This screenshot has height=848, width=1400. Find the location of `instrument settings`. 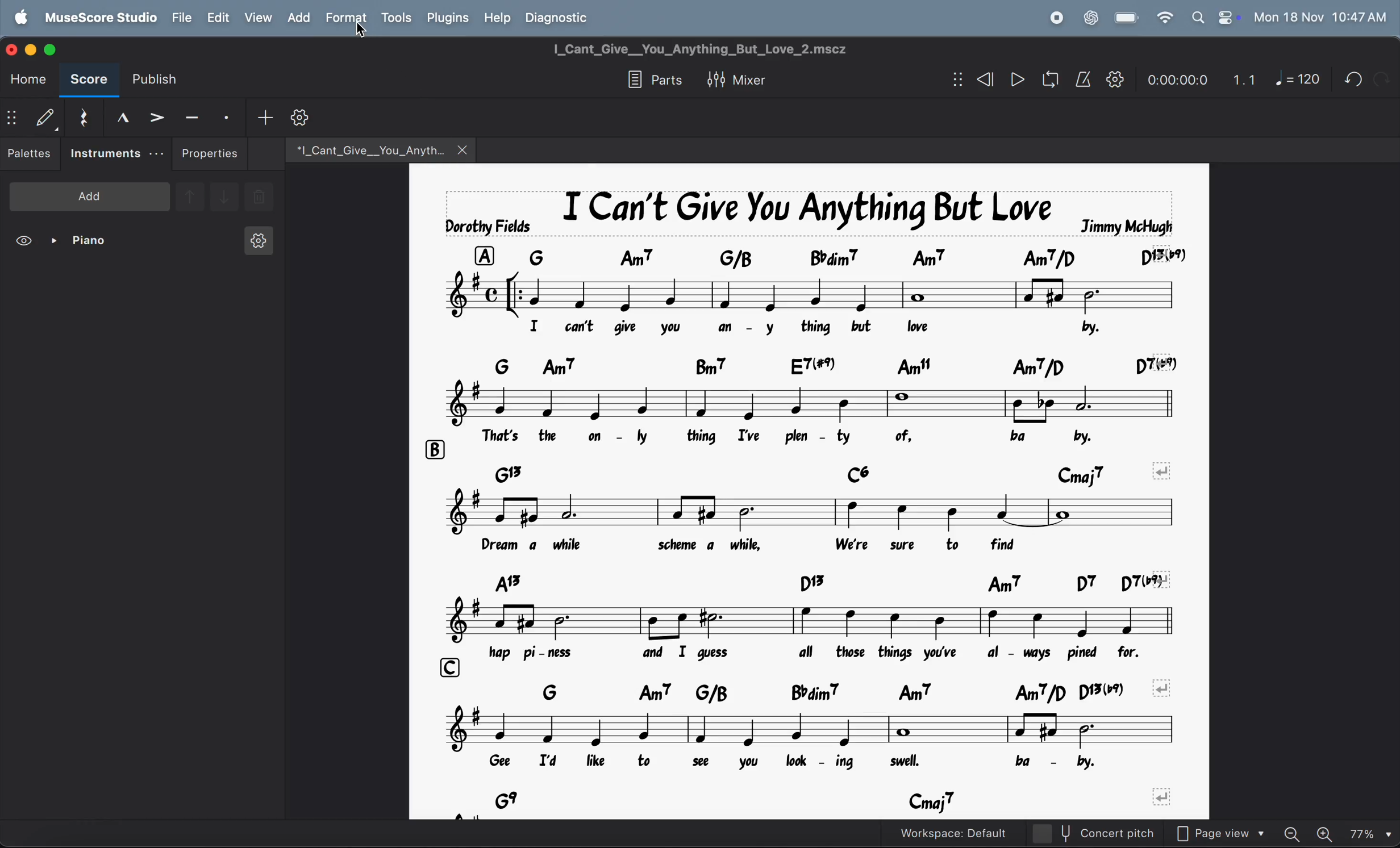

instrument settings is located at coordinates (257, 244).